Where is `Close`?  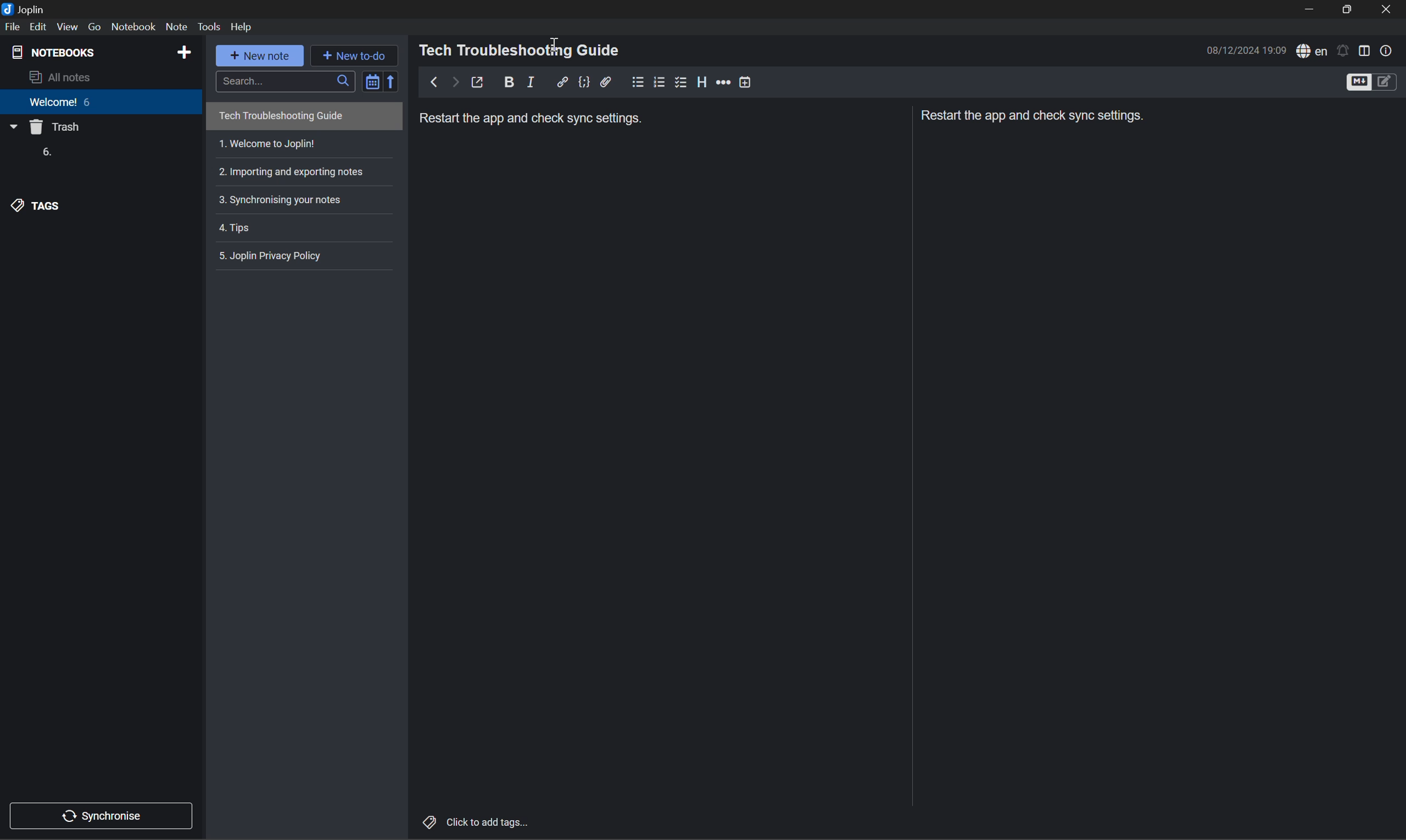
Close is located at coordinates (1388, 11).